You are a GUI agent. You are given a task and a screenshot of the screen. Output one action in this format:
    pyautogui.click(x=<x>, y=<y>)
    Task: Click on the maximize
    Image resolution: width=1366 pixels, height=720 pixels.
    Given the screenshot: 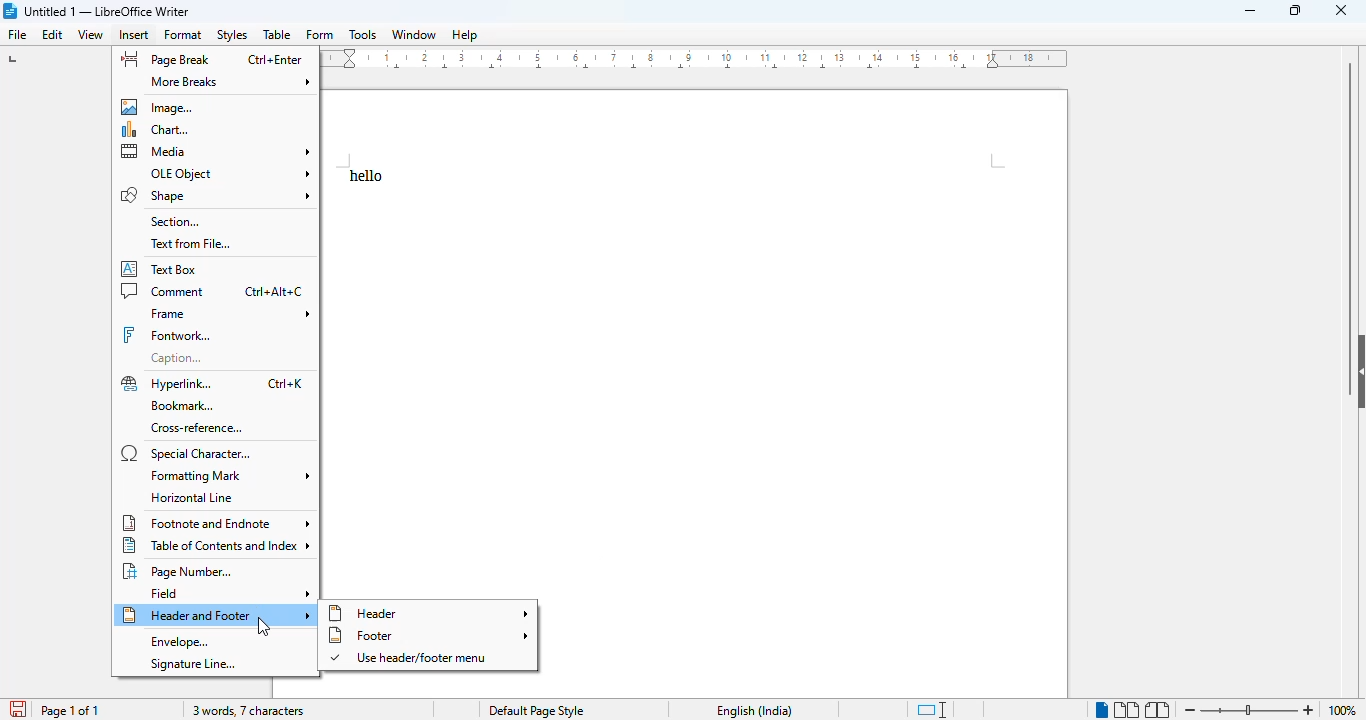 What is the action you would take?
    pyautogui.click(x=1297, y=11)
    